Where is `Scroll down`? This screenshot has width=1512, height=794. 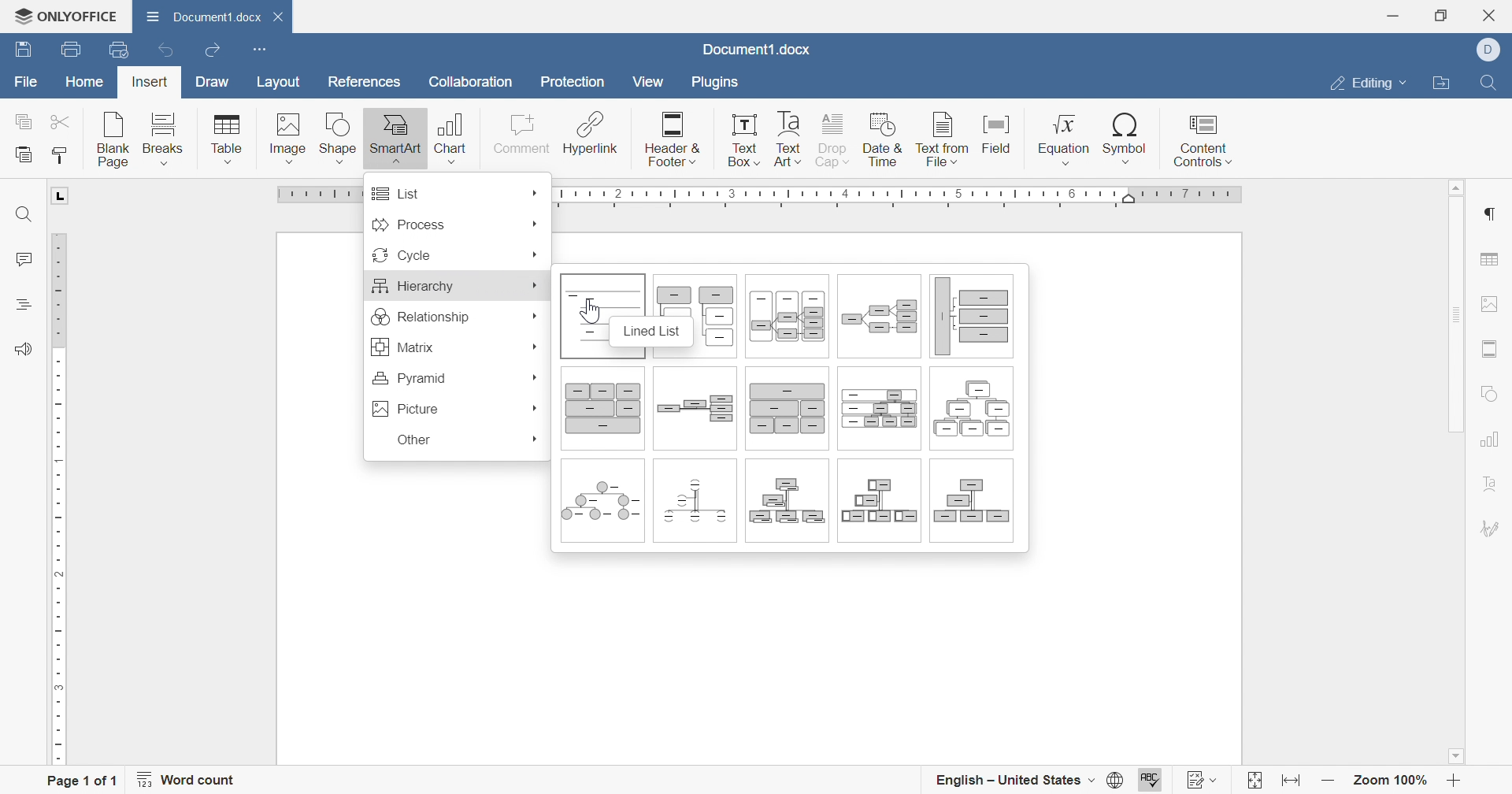 Scroll down is located at coordinates (1454, 756).